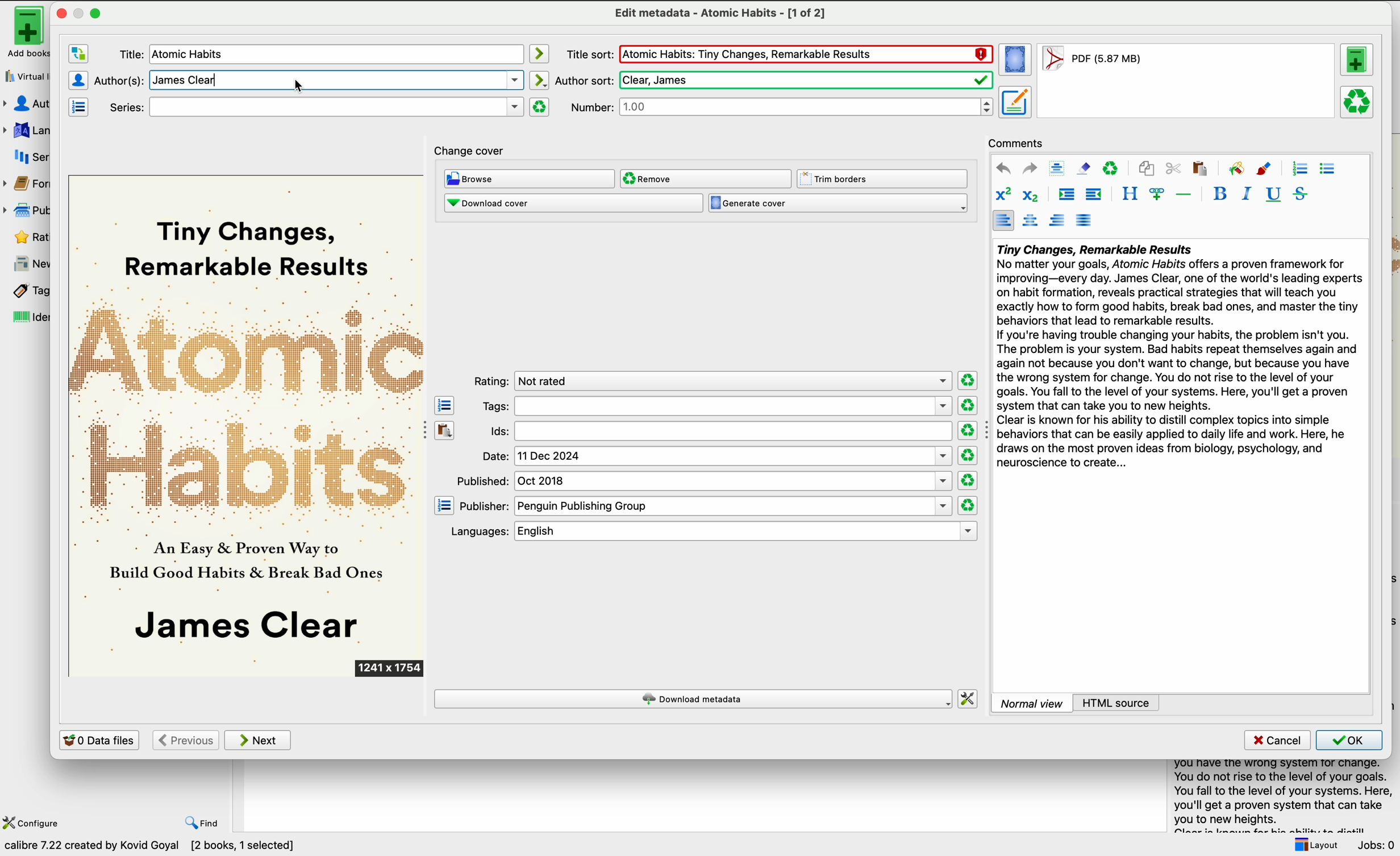  I want to click on increase indentation, so click(1066, 195).